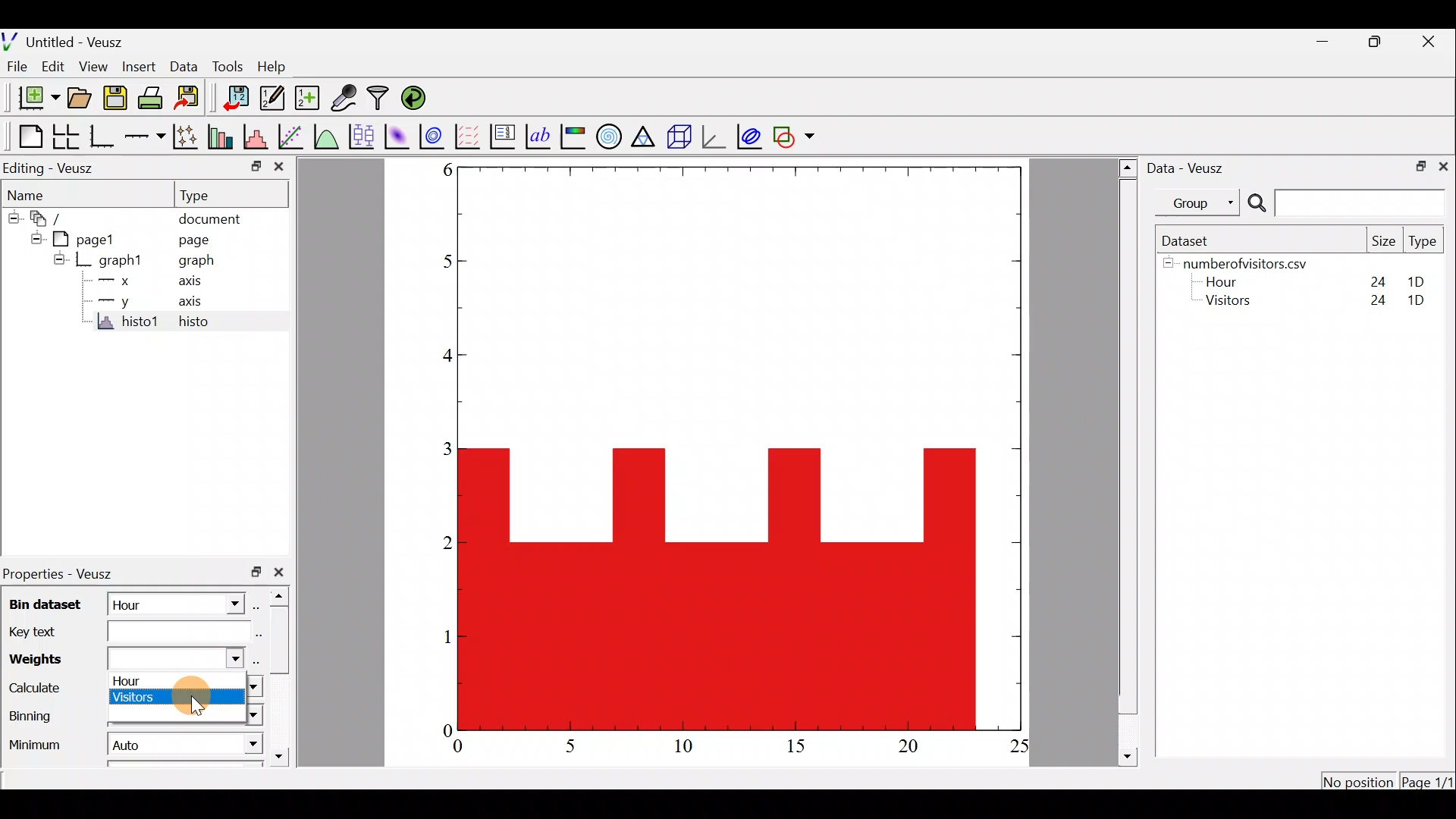 This screenshot has height=819, width=1456. Describe the element at coordinates (151, 97) in the screenshot. I see `print the document` at that location.